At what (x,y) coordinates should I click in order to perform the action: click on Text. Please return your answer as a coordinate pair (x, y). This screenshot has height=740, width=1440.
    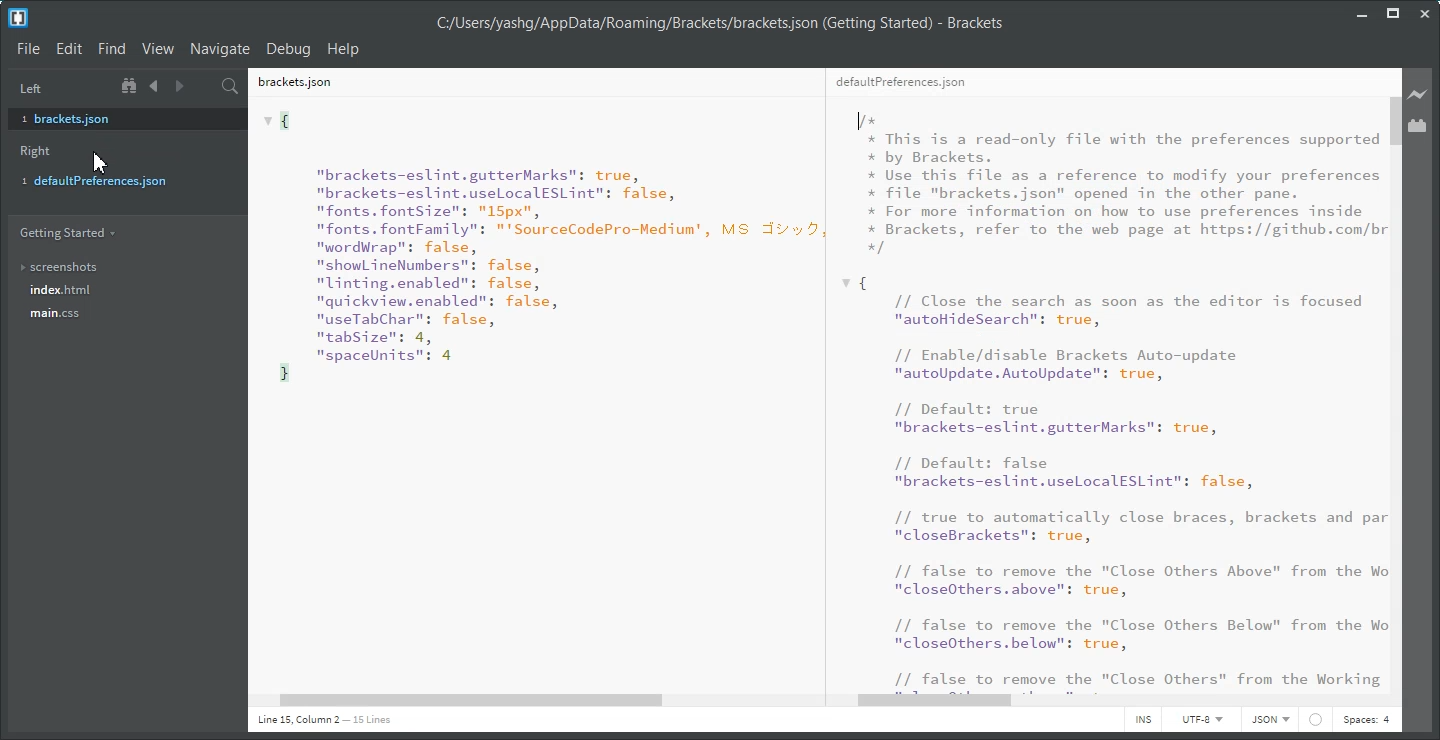
    Looking at the image, I should click on (1106, 394).